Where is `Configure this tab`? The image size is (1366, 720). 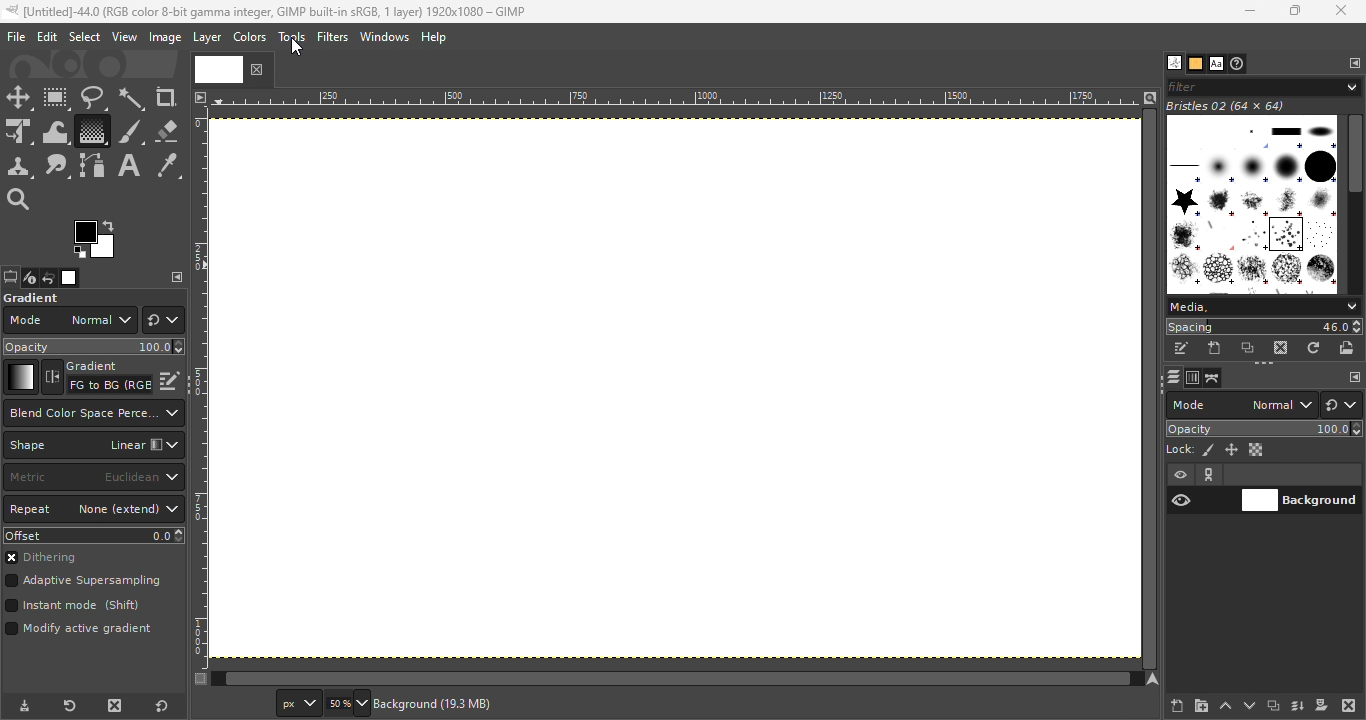
Configure this tab is located at coordinates (177, 277).